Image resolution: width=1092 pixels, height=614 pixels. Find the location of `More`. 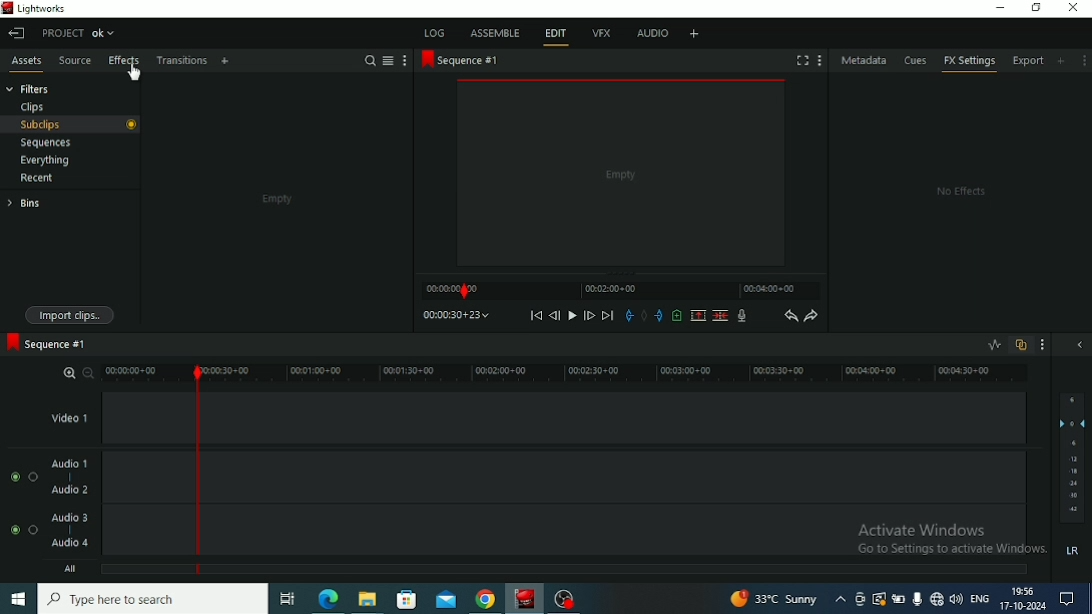

More is located at coordinates (406, 61).